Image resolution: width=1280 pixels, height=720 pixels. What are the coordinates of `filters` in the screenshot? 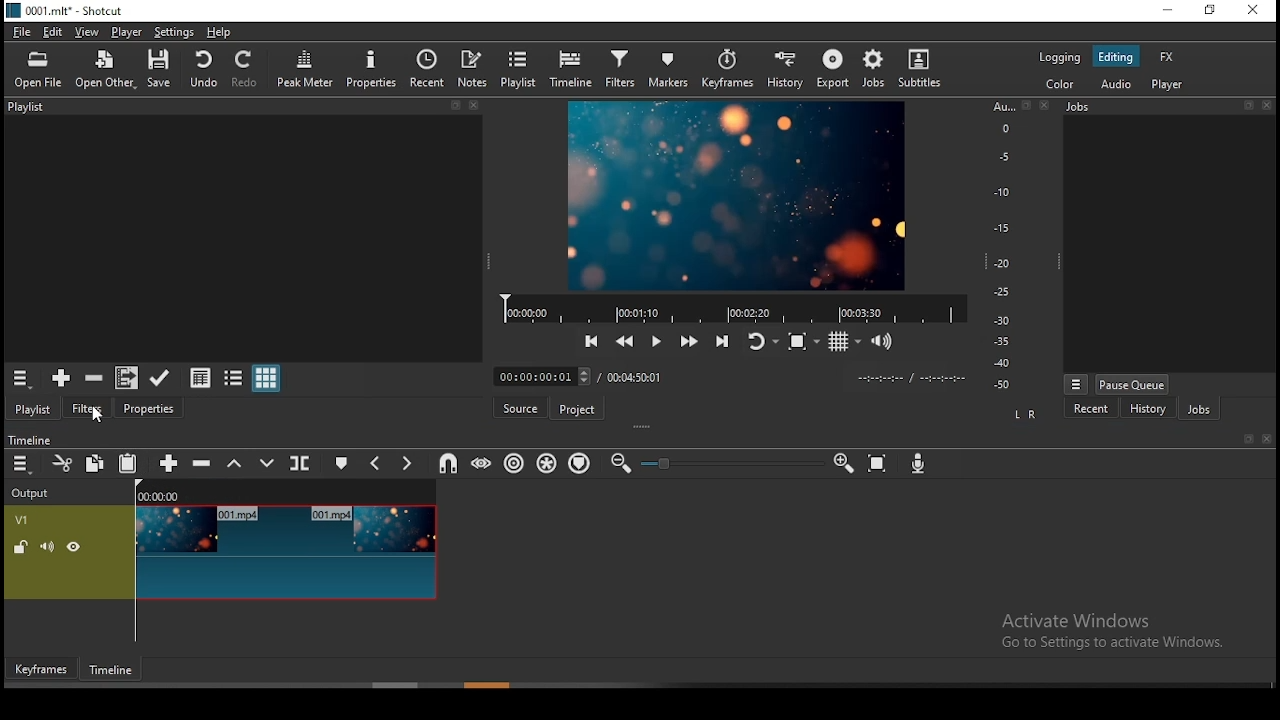 It's located at (89, 409).